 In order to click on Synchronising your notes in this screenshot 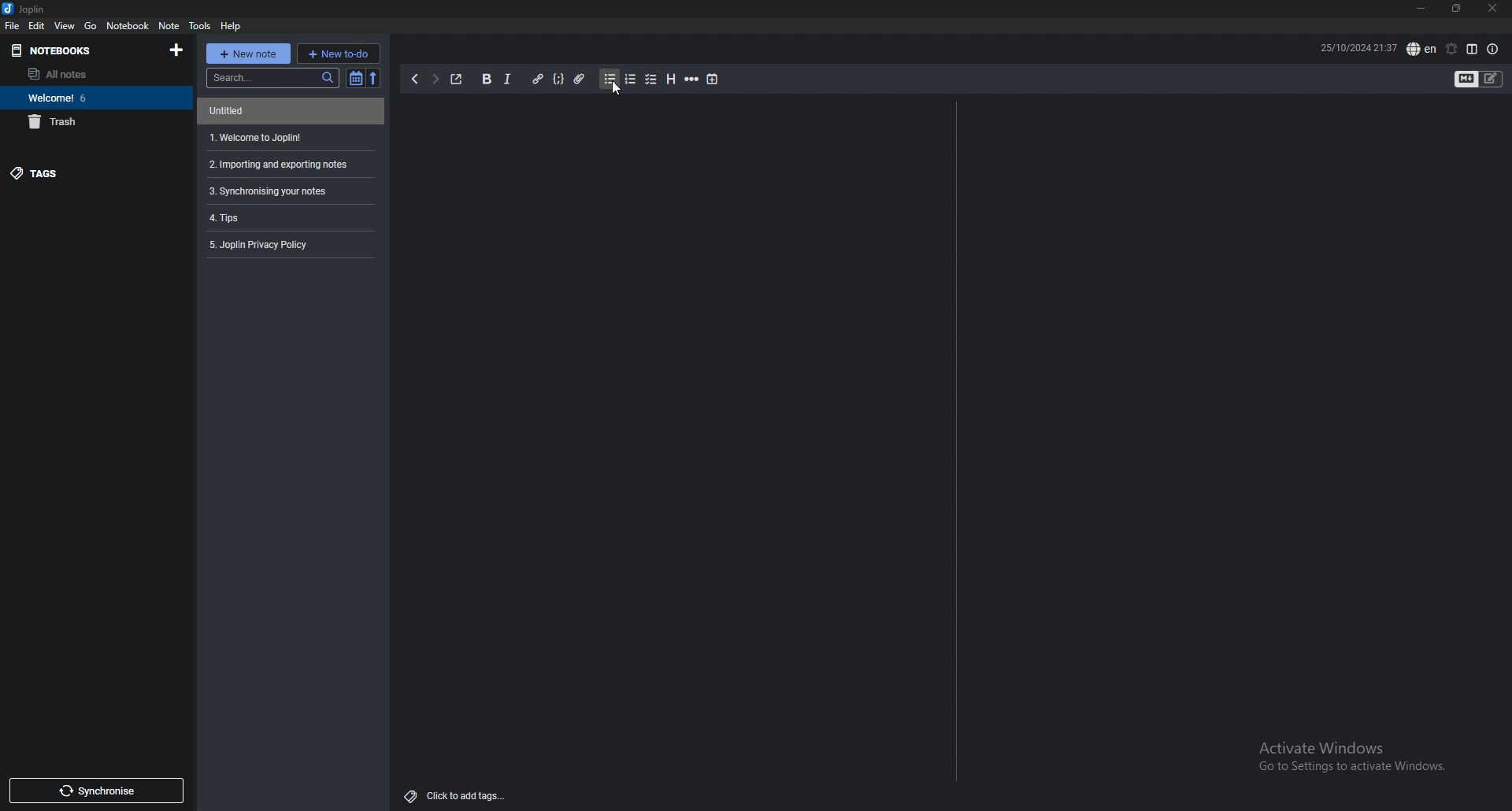, I will do `click(271, 193)`.